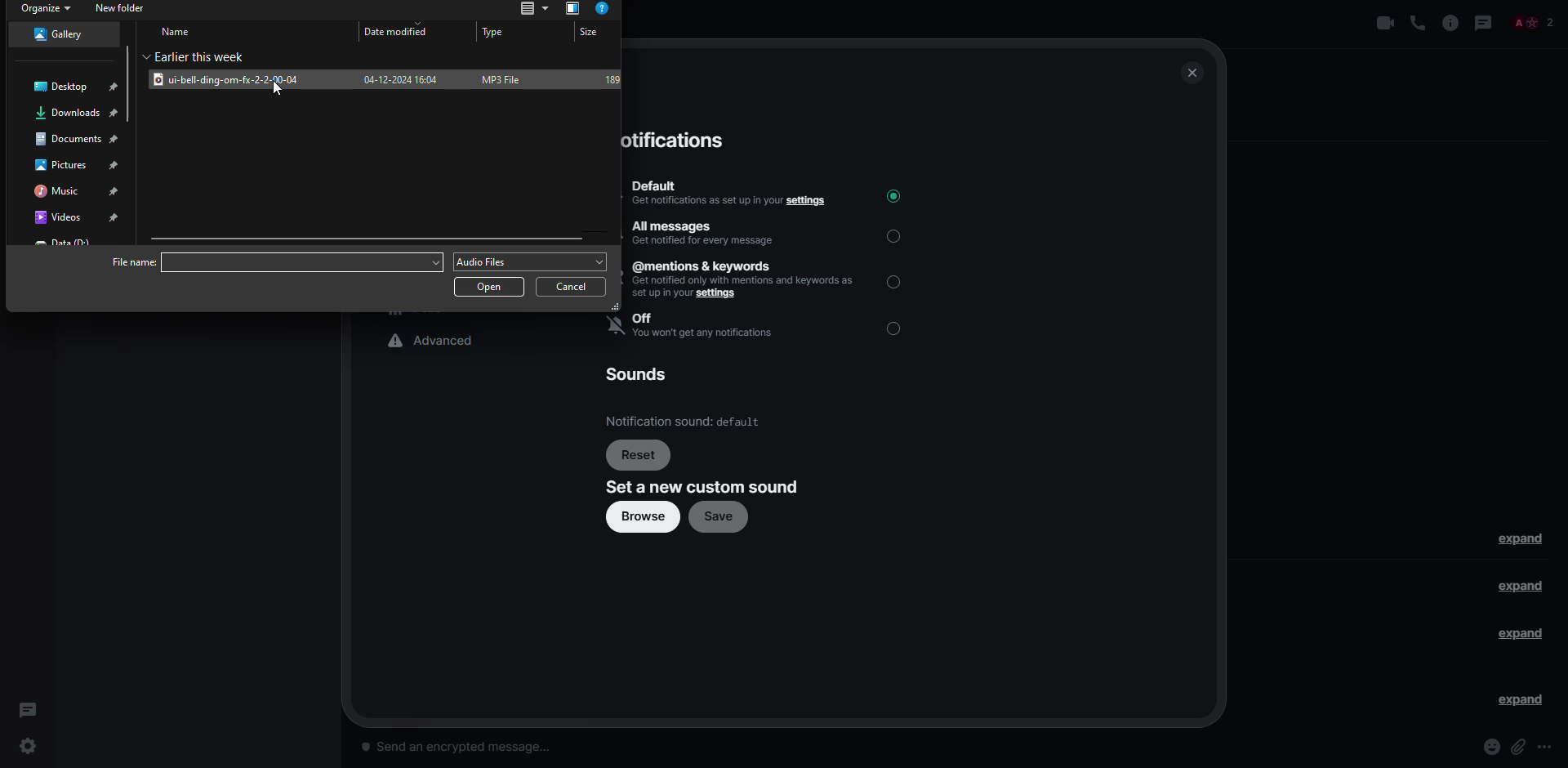 This screenshot has width=1568, height=768. I want to click on Earlier this week, so click(219, 56).